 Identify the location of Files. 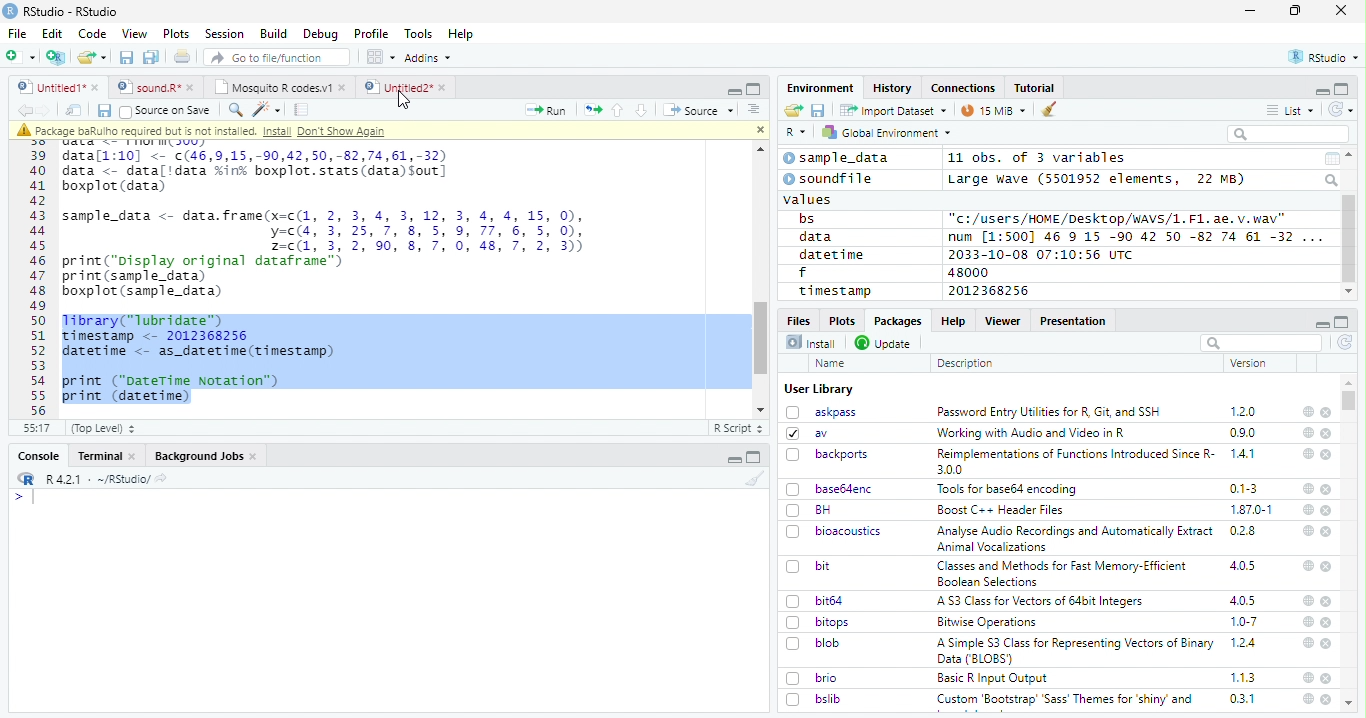
(800, 319).